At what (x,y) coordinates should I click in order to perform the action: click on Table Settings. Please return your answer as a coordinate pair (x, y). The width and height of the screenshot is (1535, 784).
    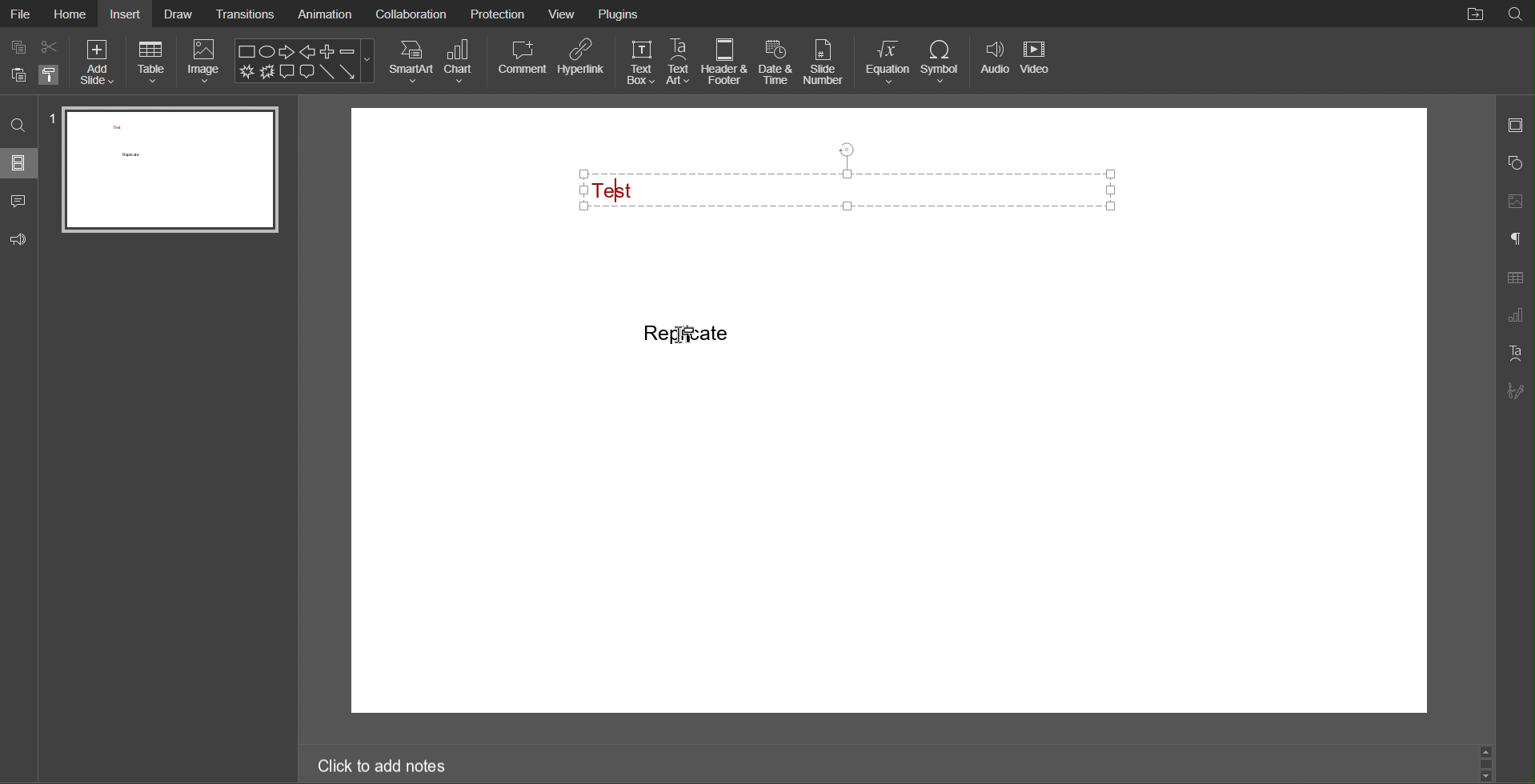
    Looking at the image, I should click on (1516, 278).